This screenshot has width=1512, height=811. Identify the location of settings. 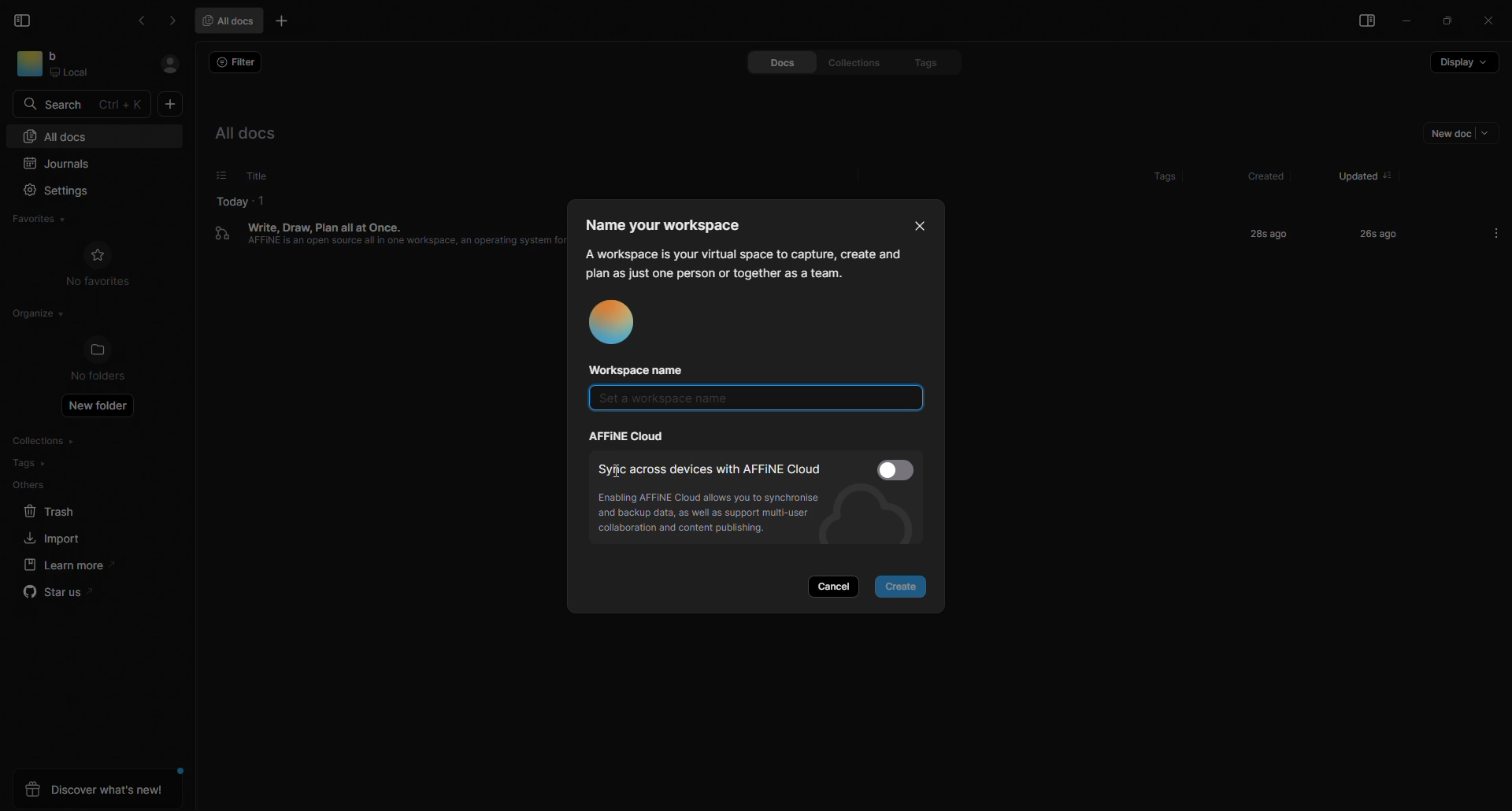
(61, 189).